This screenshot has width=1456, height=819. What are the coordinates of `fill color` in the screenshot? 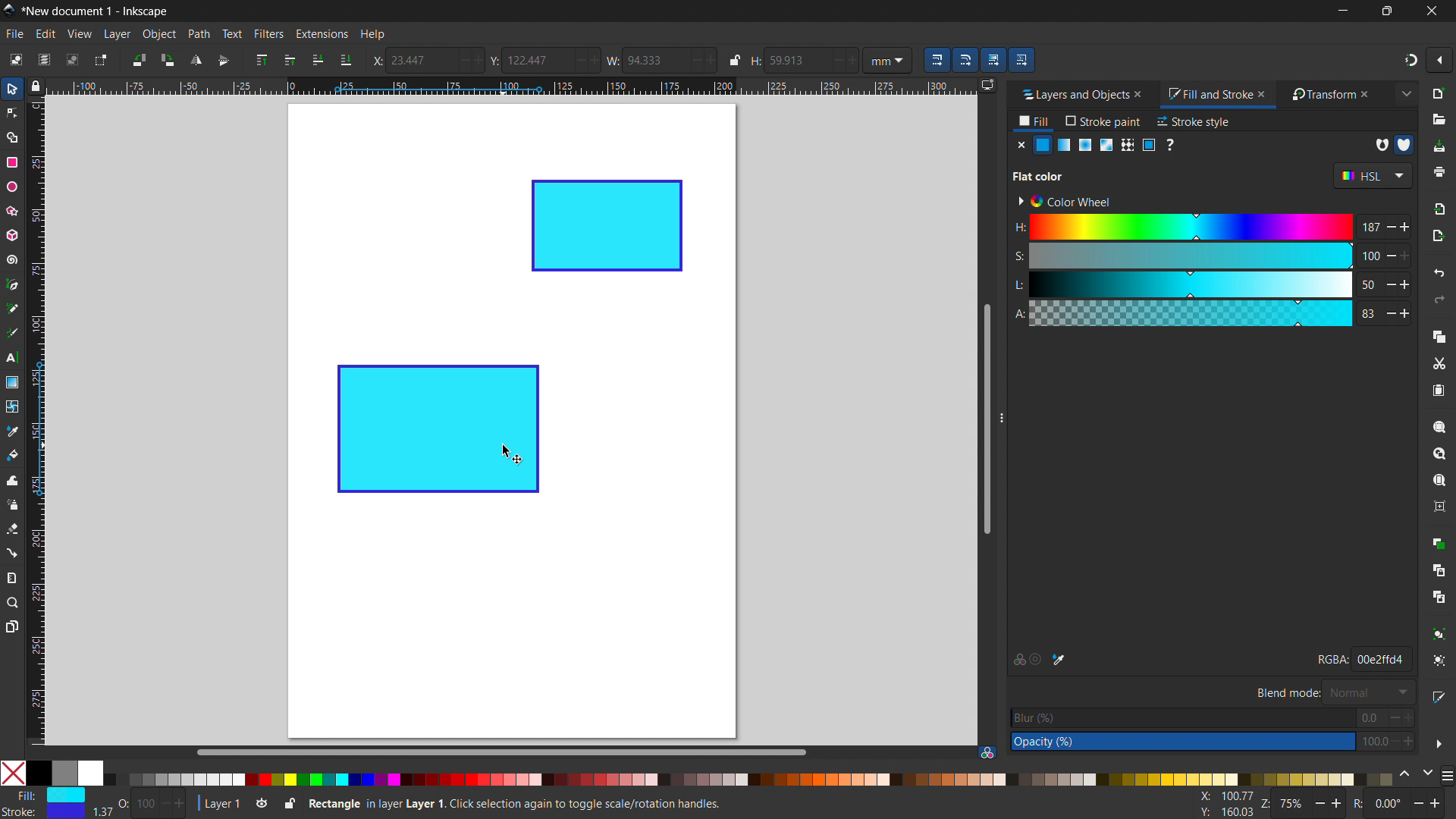 It's located at (1043, 145).